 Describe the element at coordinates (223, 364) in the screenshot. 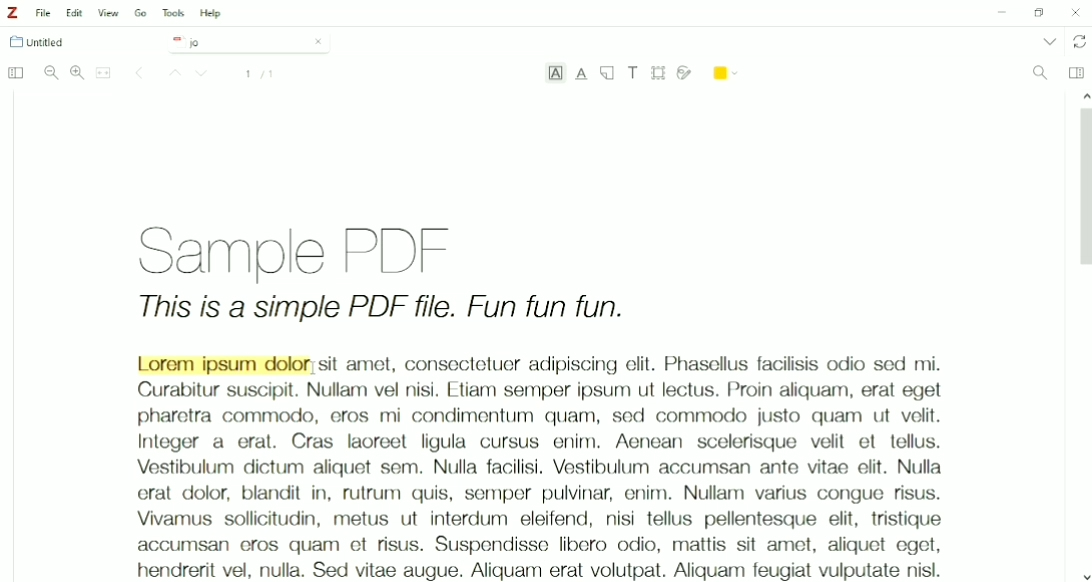

I see `Lorem ipsum dolor` at that location.